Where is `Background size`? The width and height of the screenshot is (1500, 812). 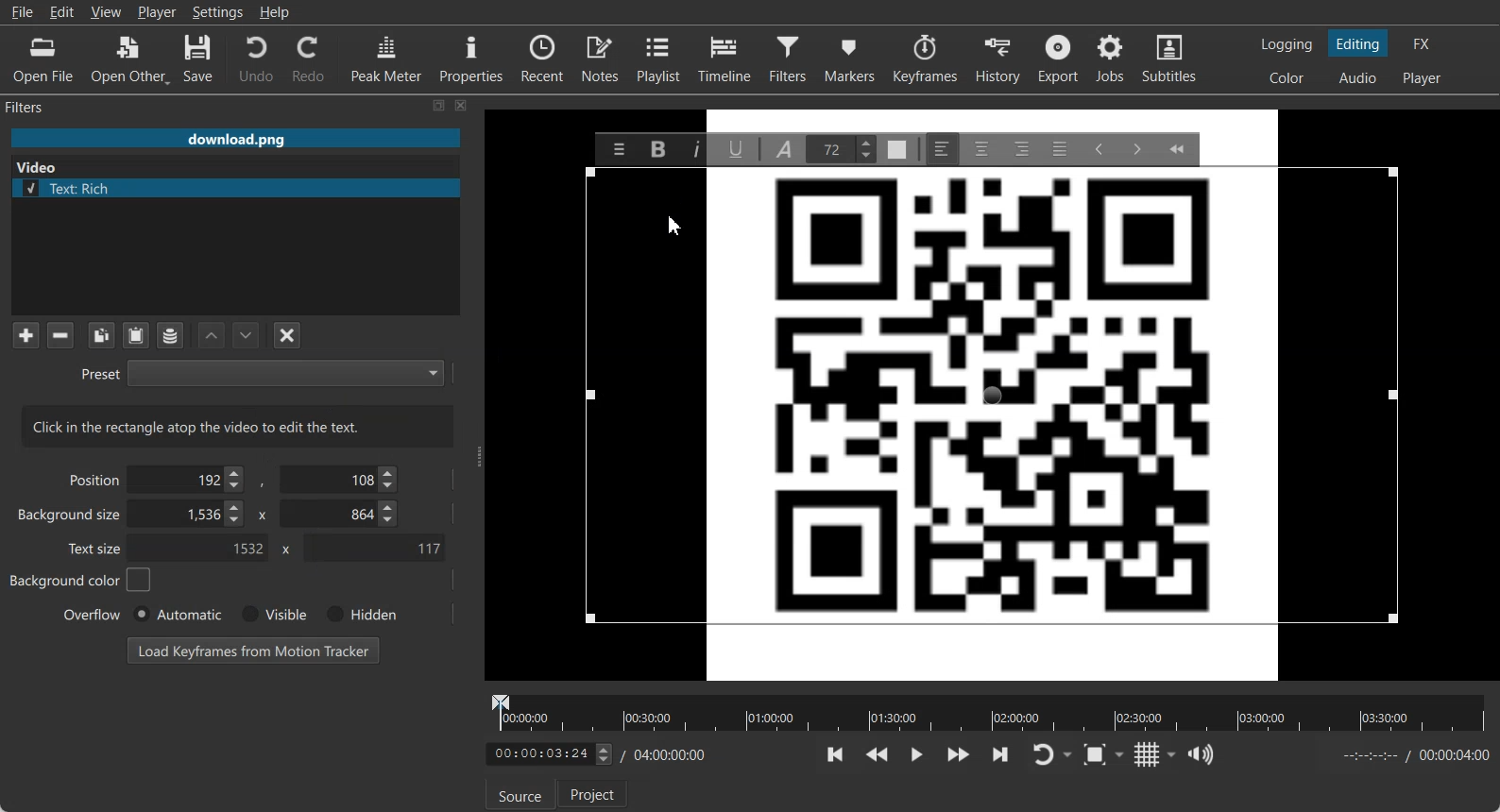 Background size is located at coordinates (71, 518).